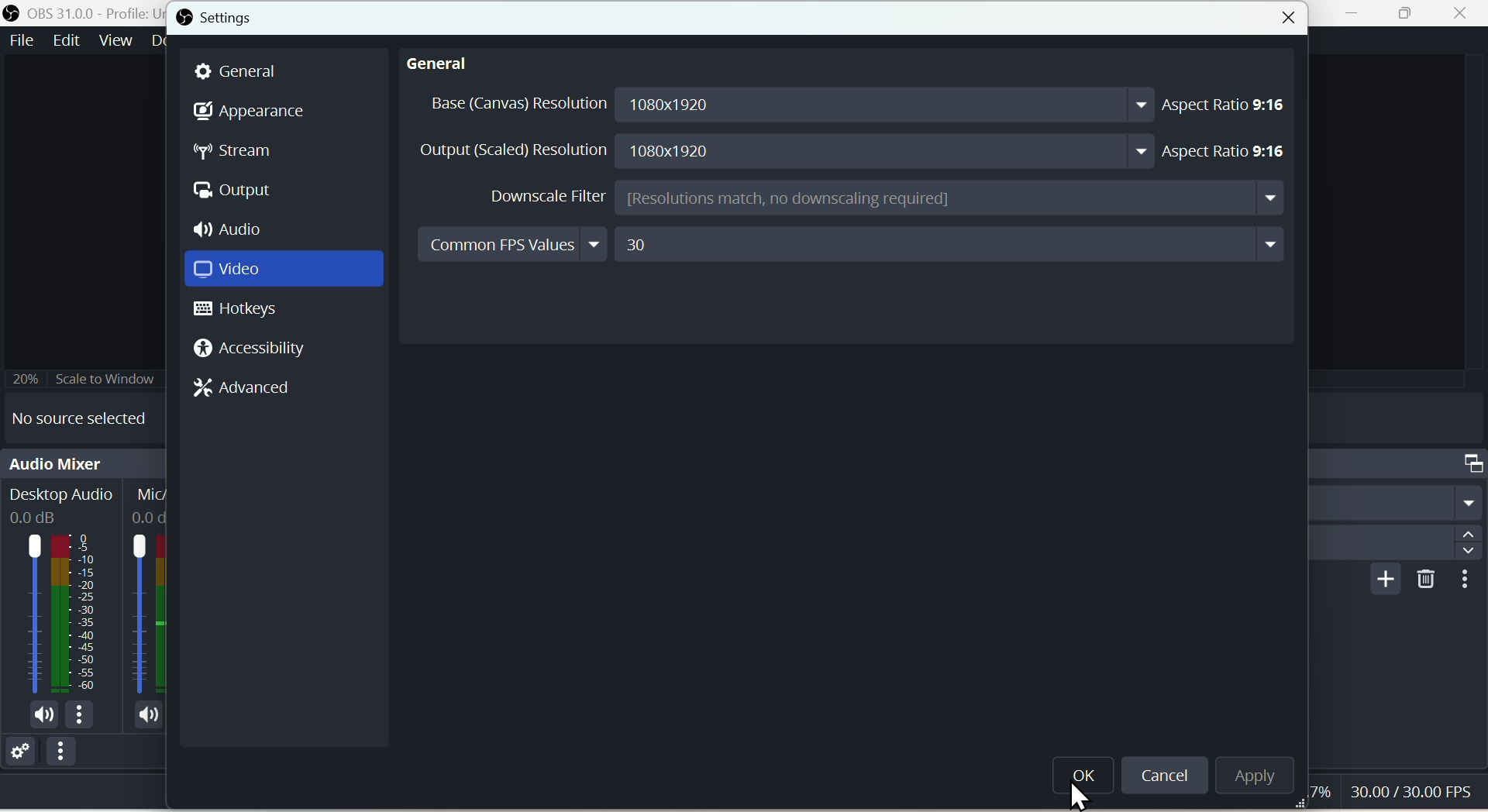 This screenshot has width=1488, height=812. I want to click on Settings, so click(219, 17).